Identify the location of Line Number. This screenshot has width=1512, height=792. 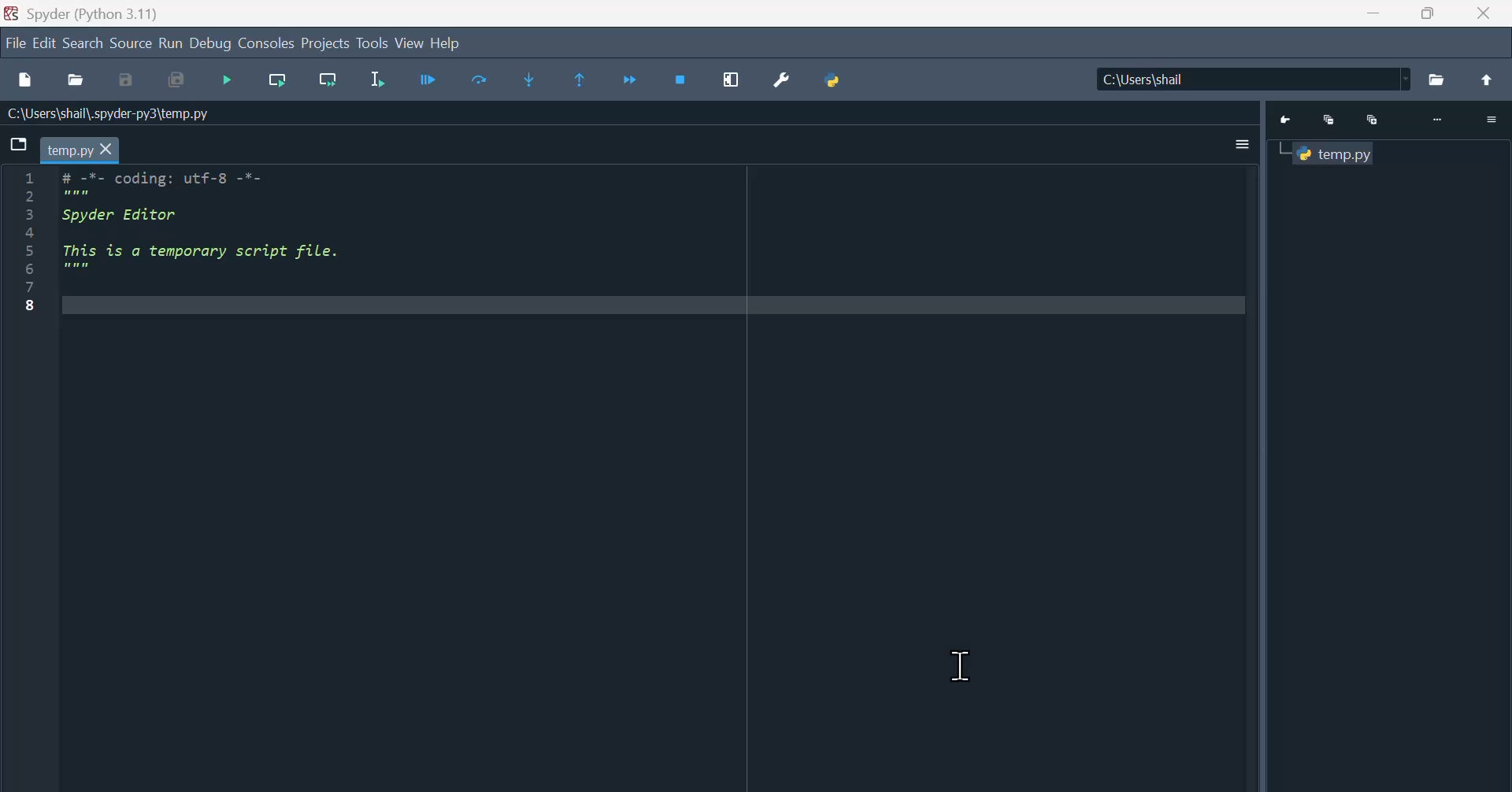
(30, 240).